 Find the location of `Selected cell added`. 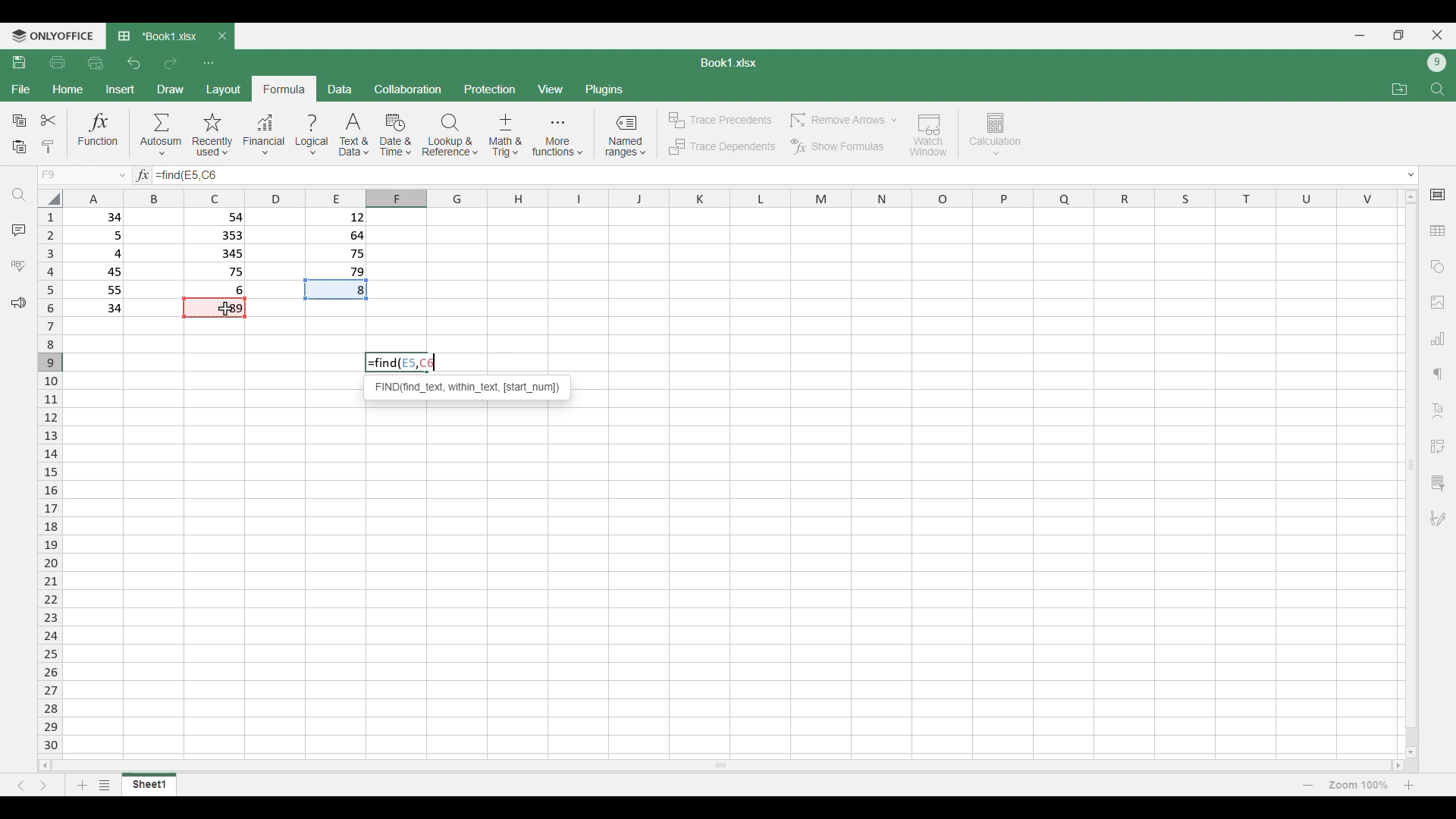

Selected cell added is located at coordinates (209, 175).